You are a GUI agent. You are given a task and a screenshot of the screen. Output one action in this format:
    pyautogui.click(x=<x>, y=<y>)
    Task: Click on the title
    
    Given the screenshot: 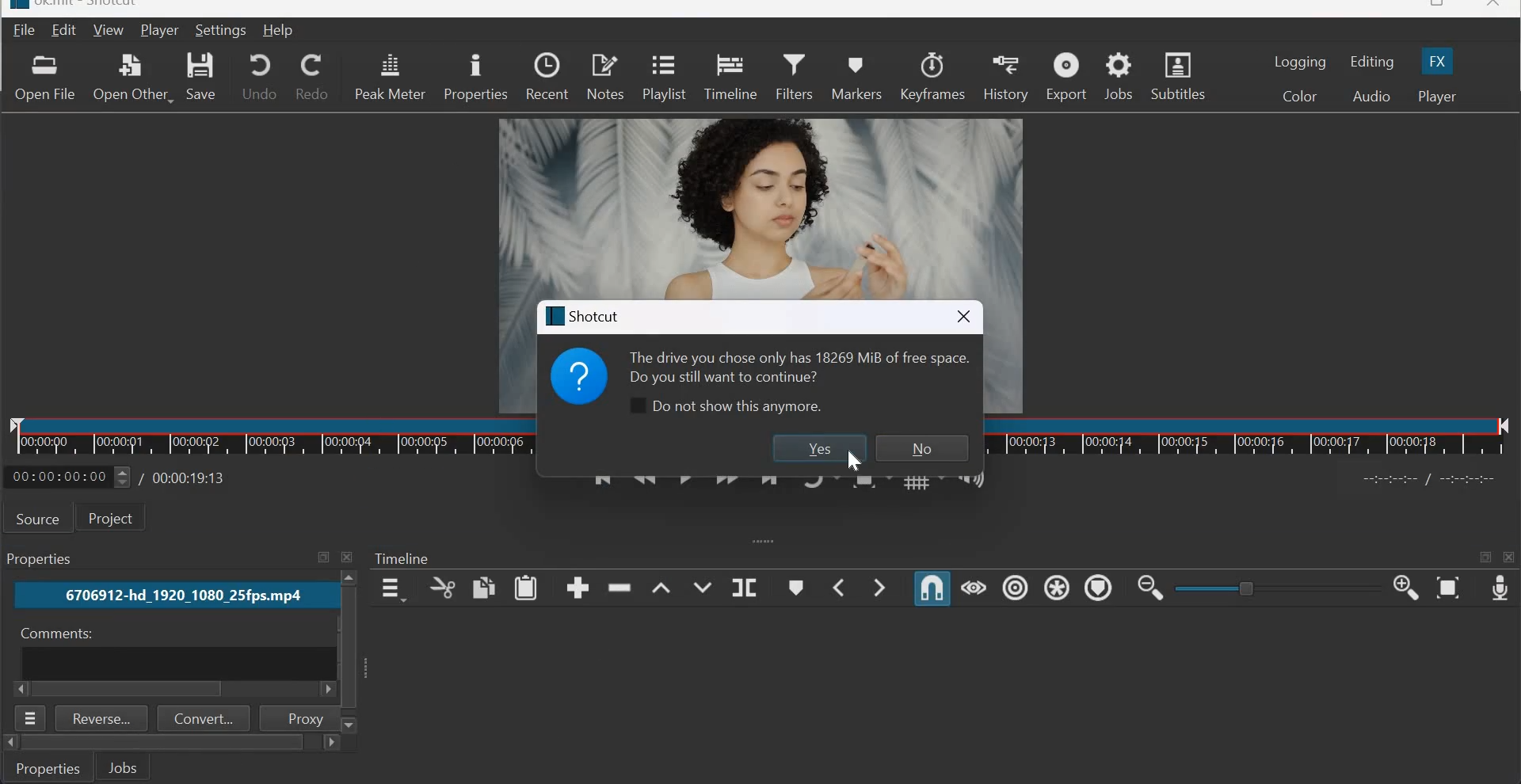 What is the action you would take?
    pyautogui.click(x=91, y=6)
    